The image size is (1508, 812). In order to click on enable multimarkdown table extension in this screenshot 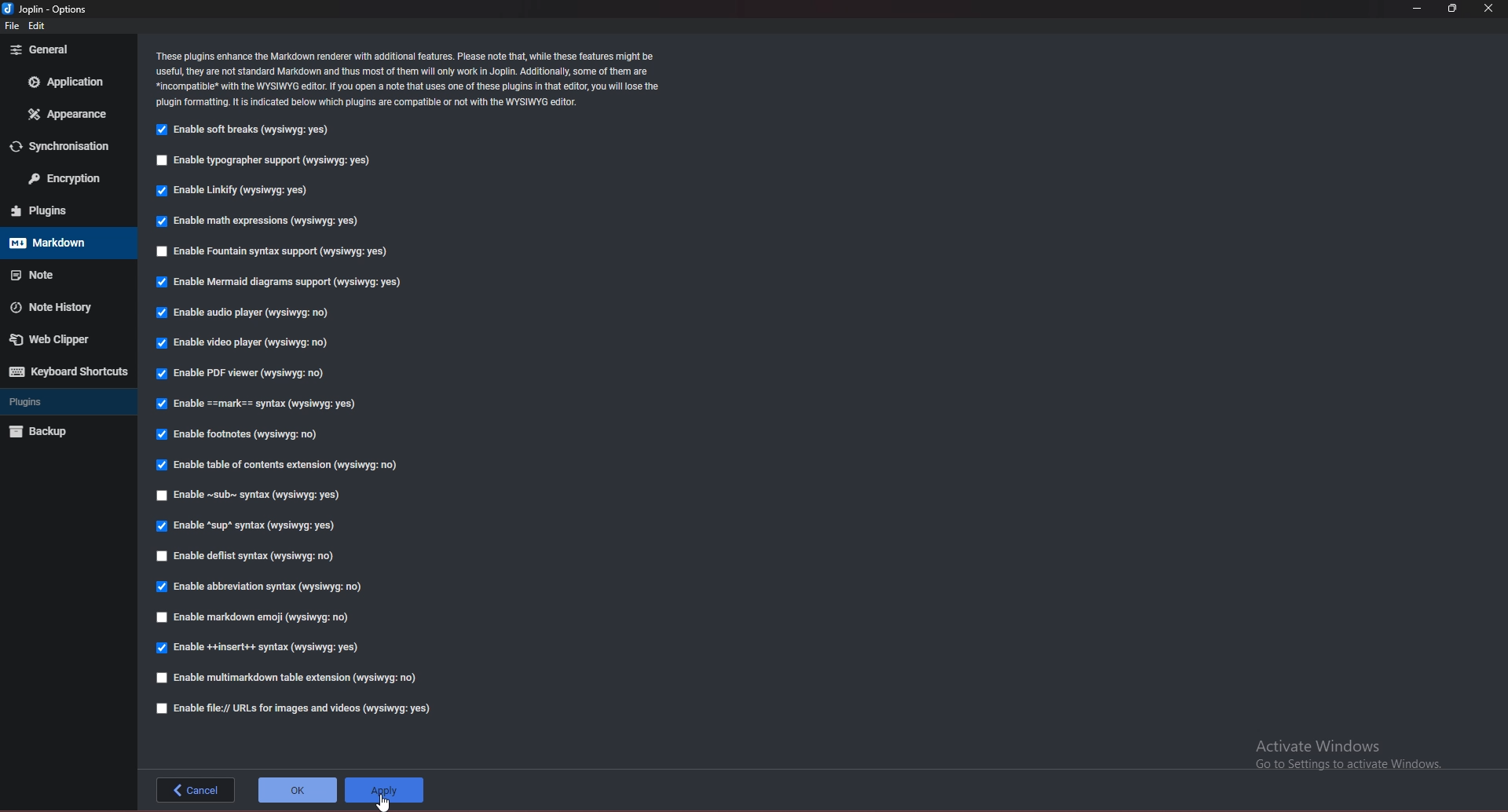, I will do `click(293, 679)`.